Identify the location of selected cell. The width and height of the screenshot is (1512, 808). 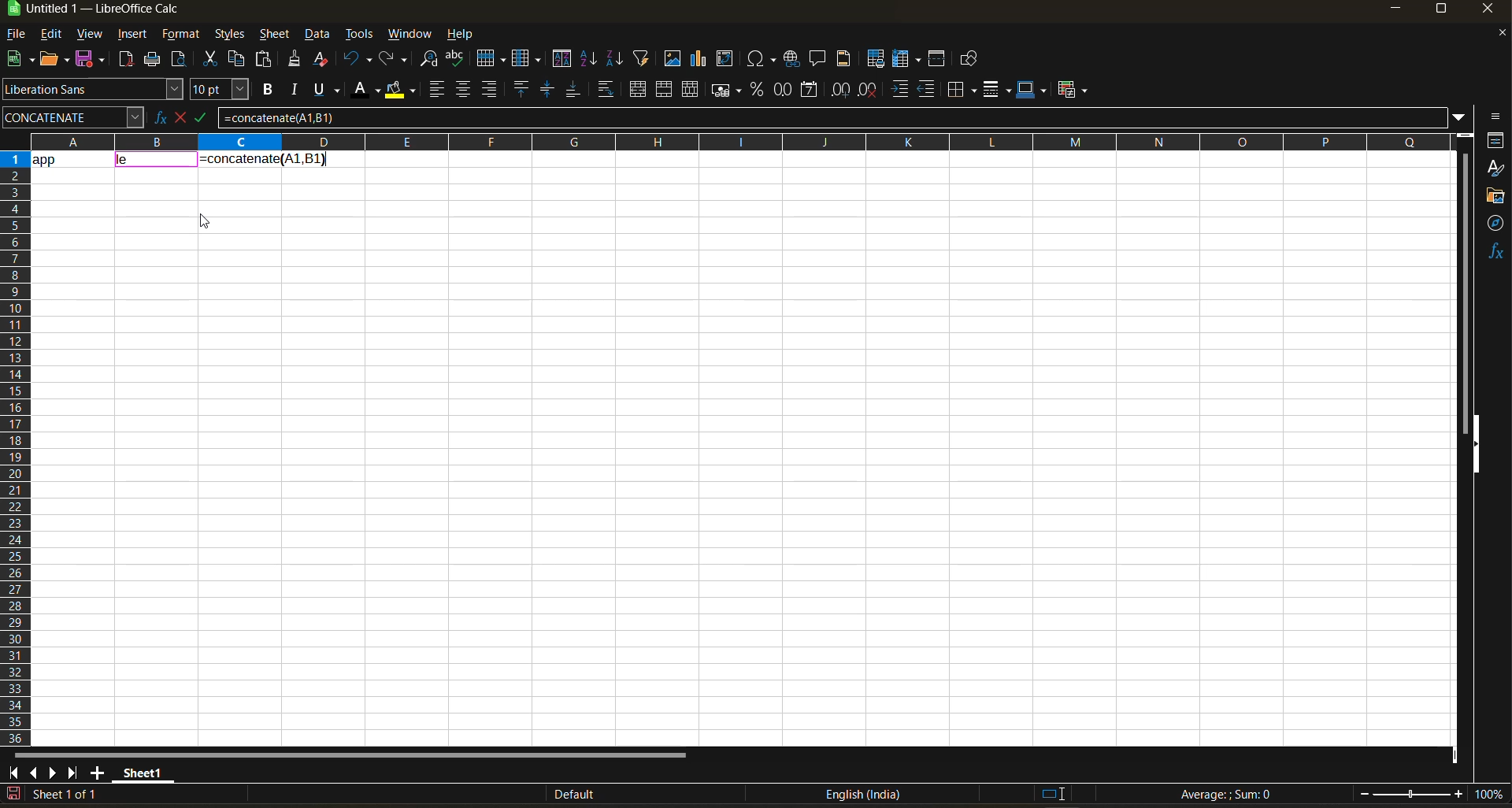
(157, 161).